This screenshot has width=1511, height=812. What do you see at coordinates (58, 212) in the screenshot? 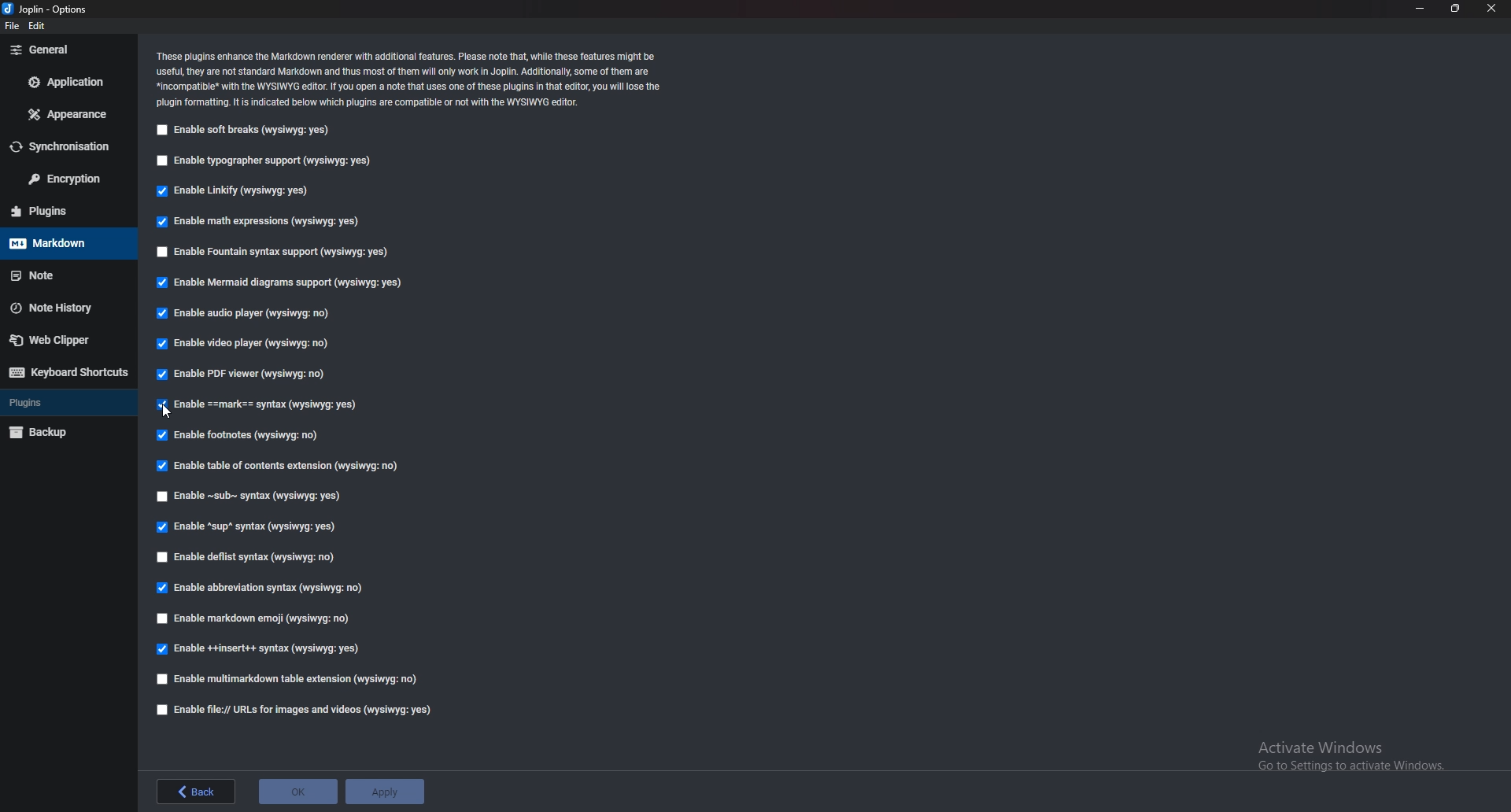
I see `Plugins` at bounding box center [58, 212].